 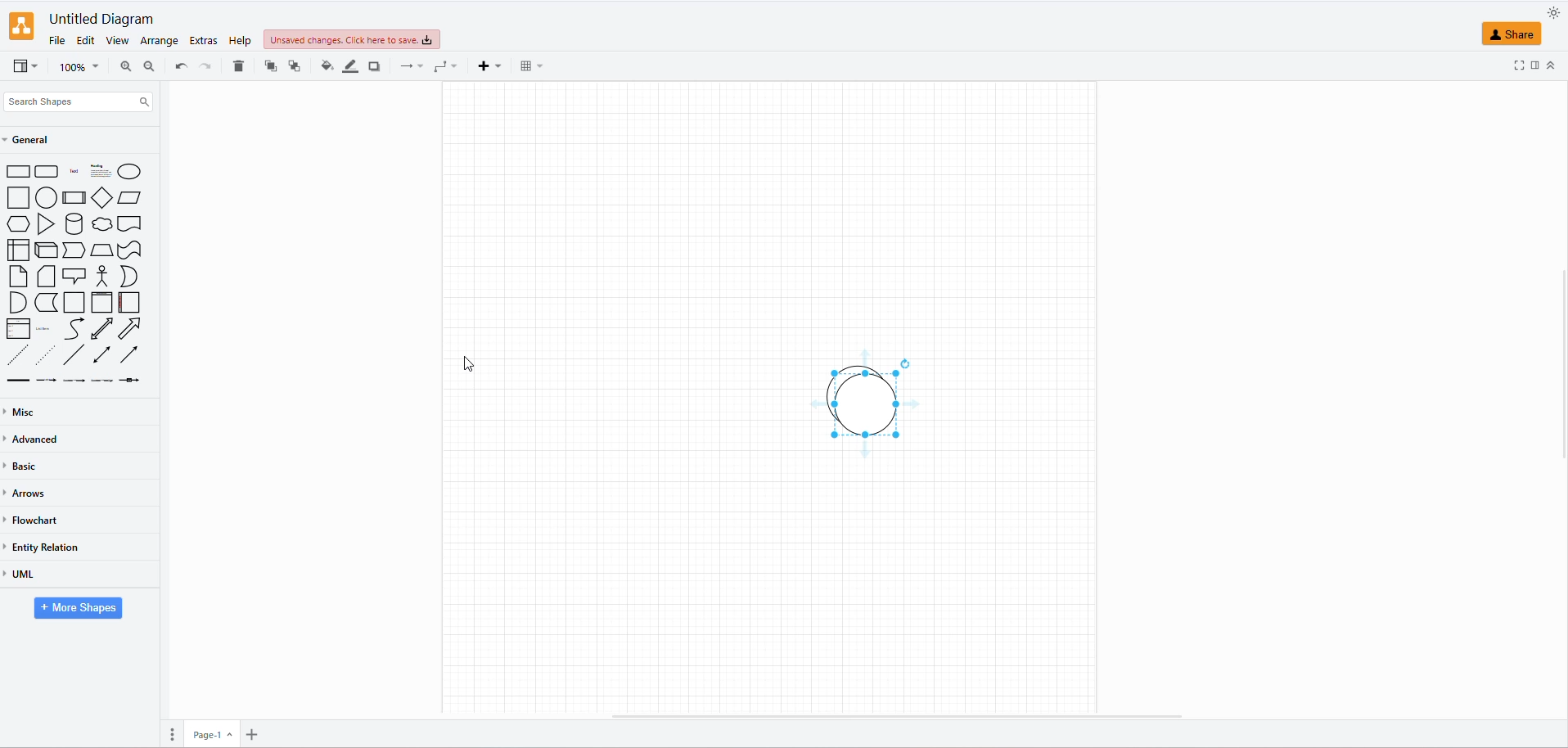 What do you see at coordinates (72, 248) in the screenshot?
I see `STEP` at bounding box center [72, 248].